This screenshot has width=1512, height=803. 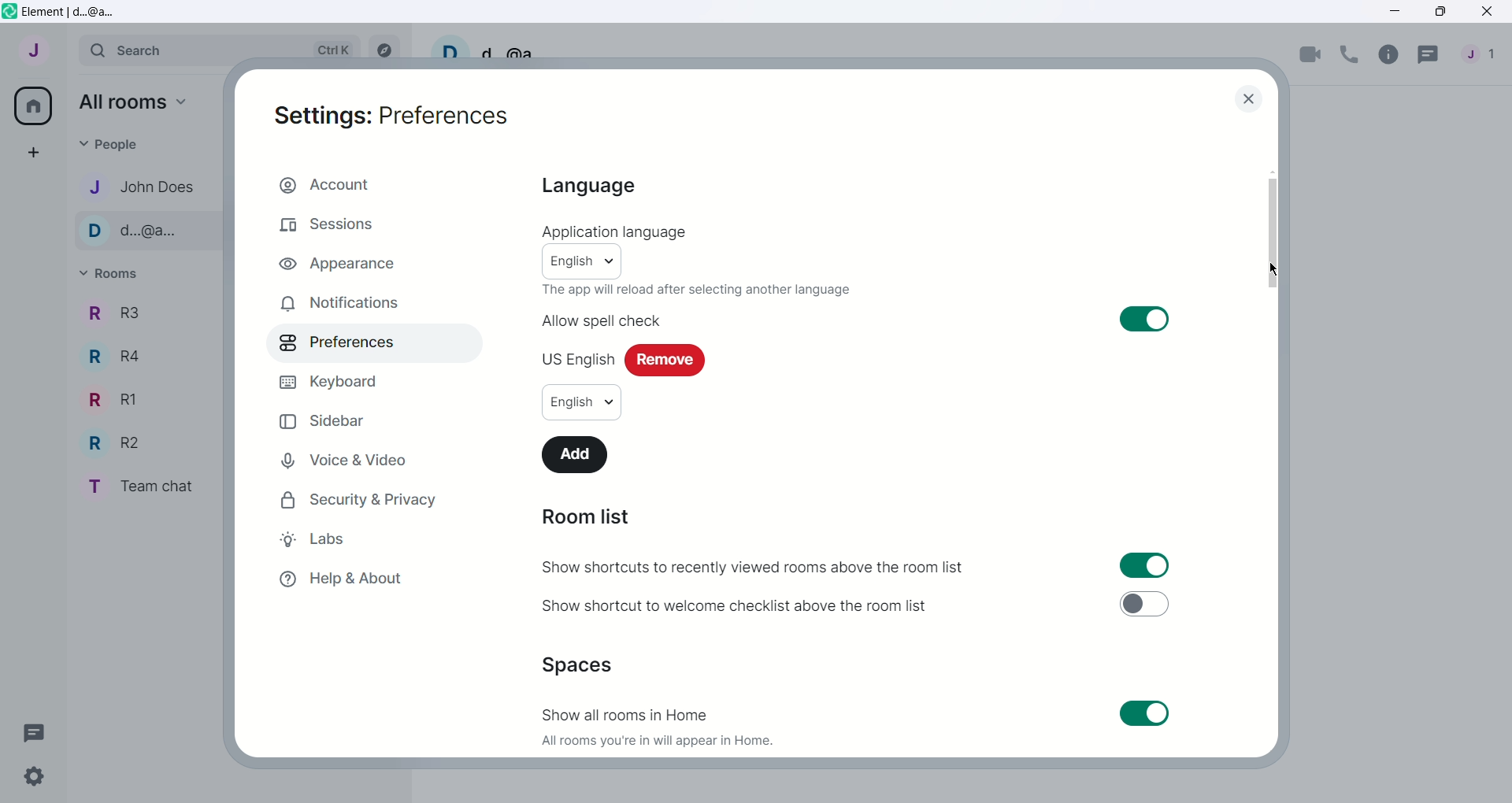 I want to click on User profile picture and settings, so click(x=450, y=46).